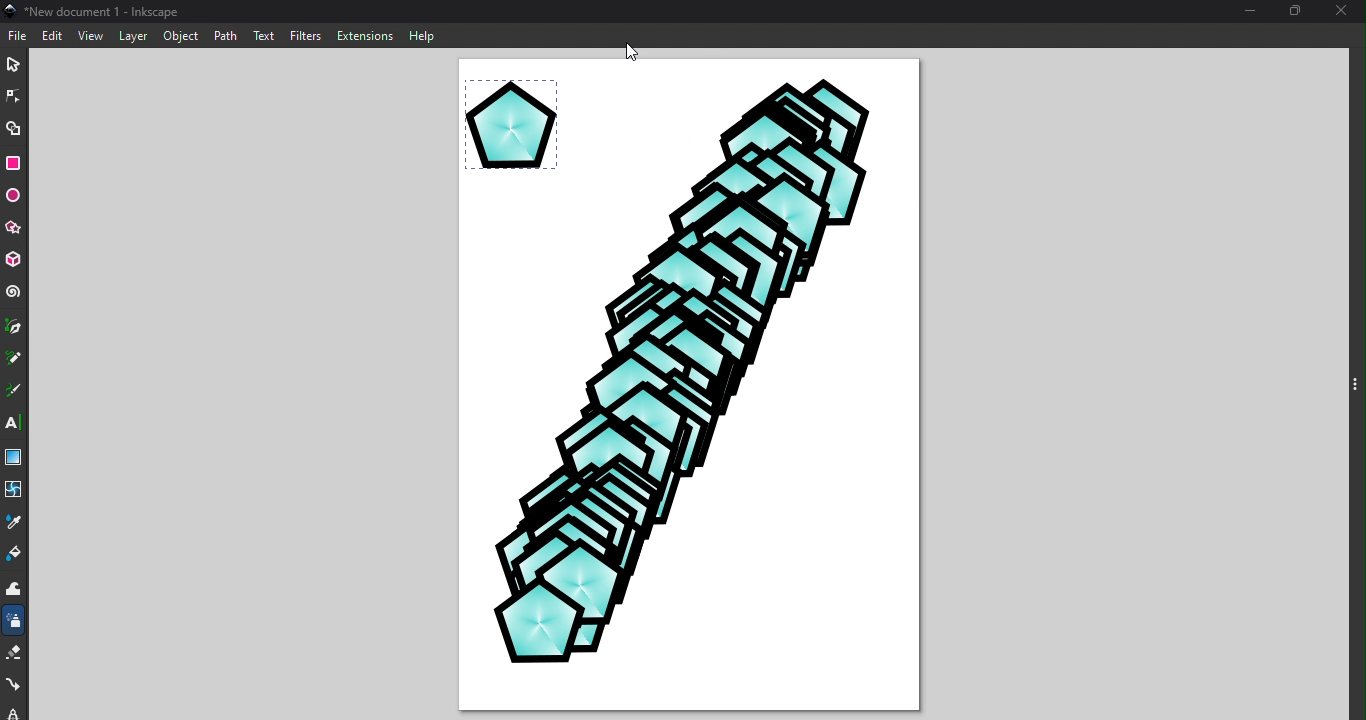 Image resolution: width=1366 pixels, height=720 pixels. Describe the element at coordinates (1298, 10) in the screenshot. I see `Maximize` at that location.